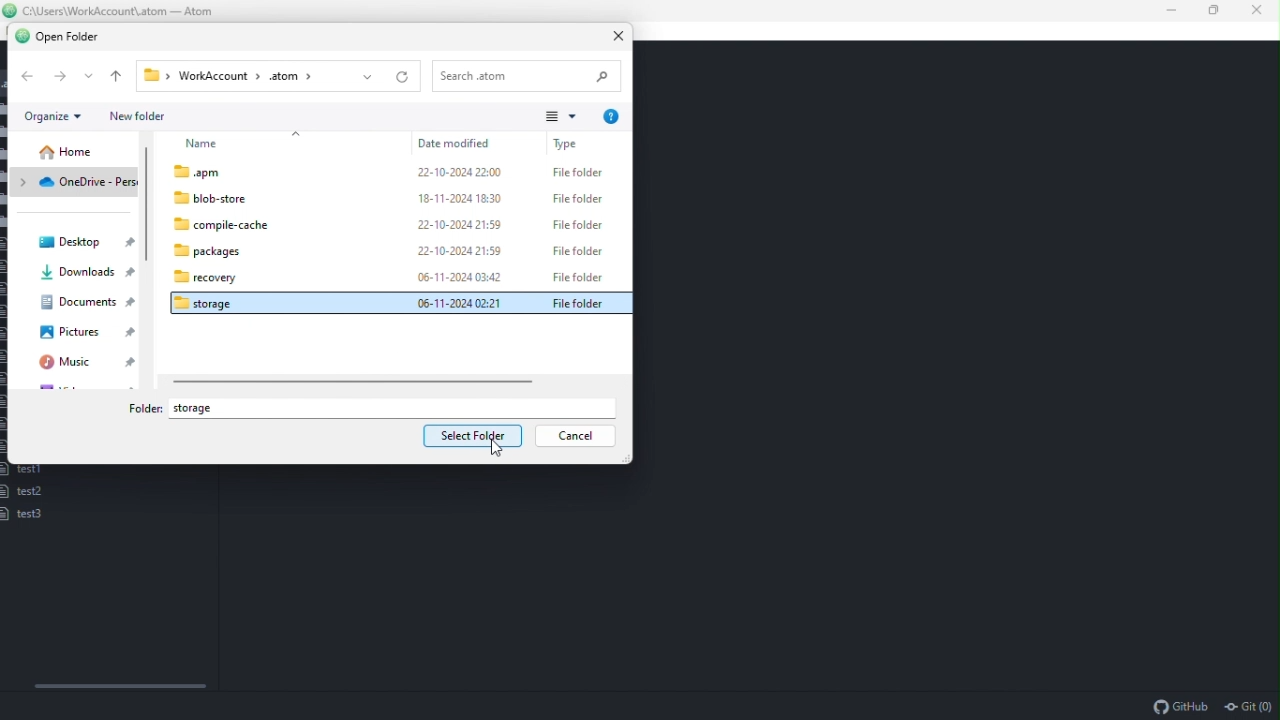 The width and height of the screenshot is (1280, 720). What do you see at coordinates (70, 151) in the screenshot?
I see `` at bounding box center [70, 151].